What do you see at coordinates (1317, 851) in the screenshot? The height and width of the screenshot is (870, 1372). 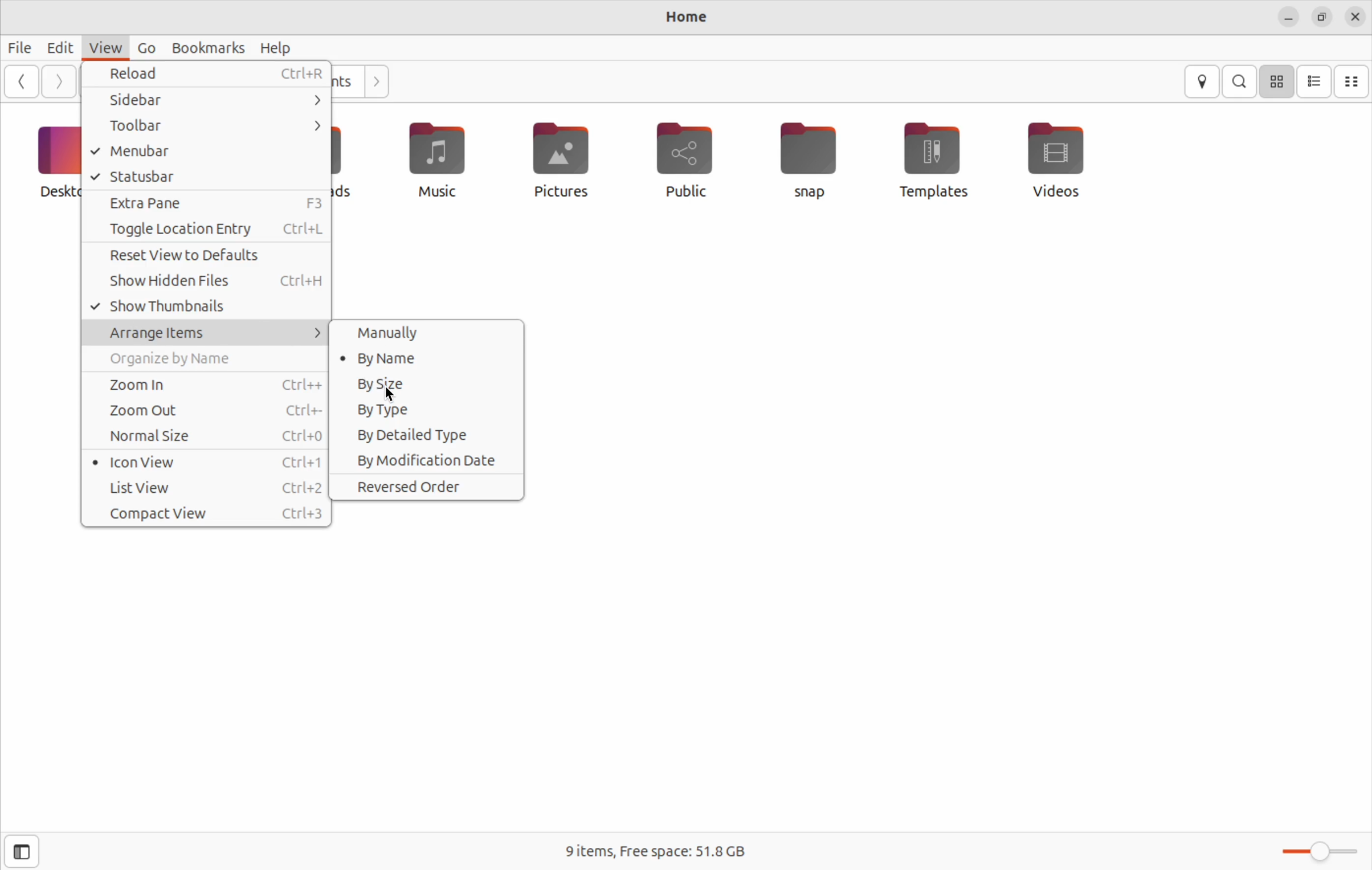 I see `toggle bar` at bounding box center [1317, 851].